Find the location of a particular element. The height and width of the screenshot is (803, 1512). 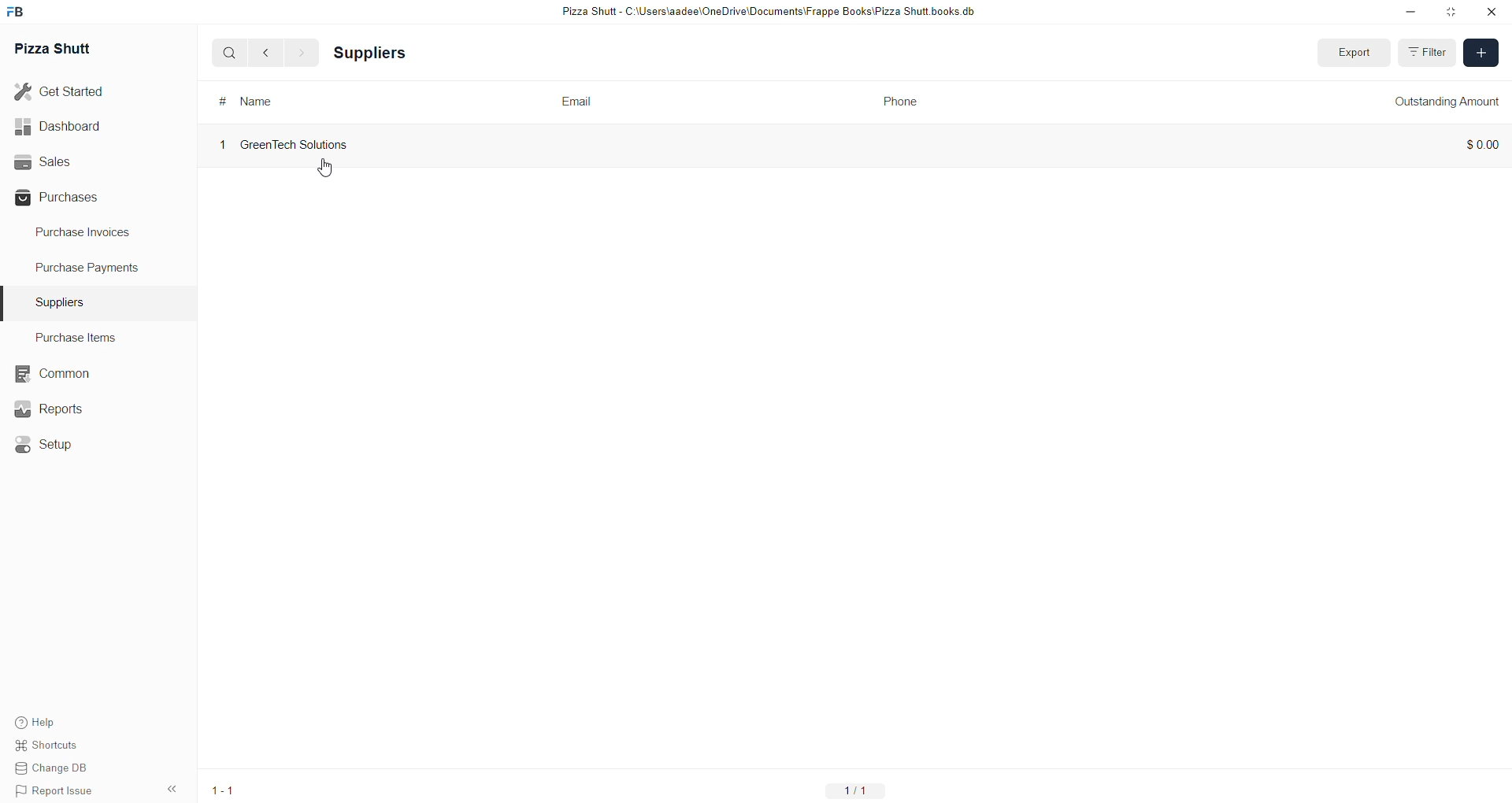

restore down is located at coordinates (1449, 13).